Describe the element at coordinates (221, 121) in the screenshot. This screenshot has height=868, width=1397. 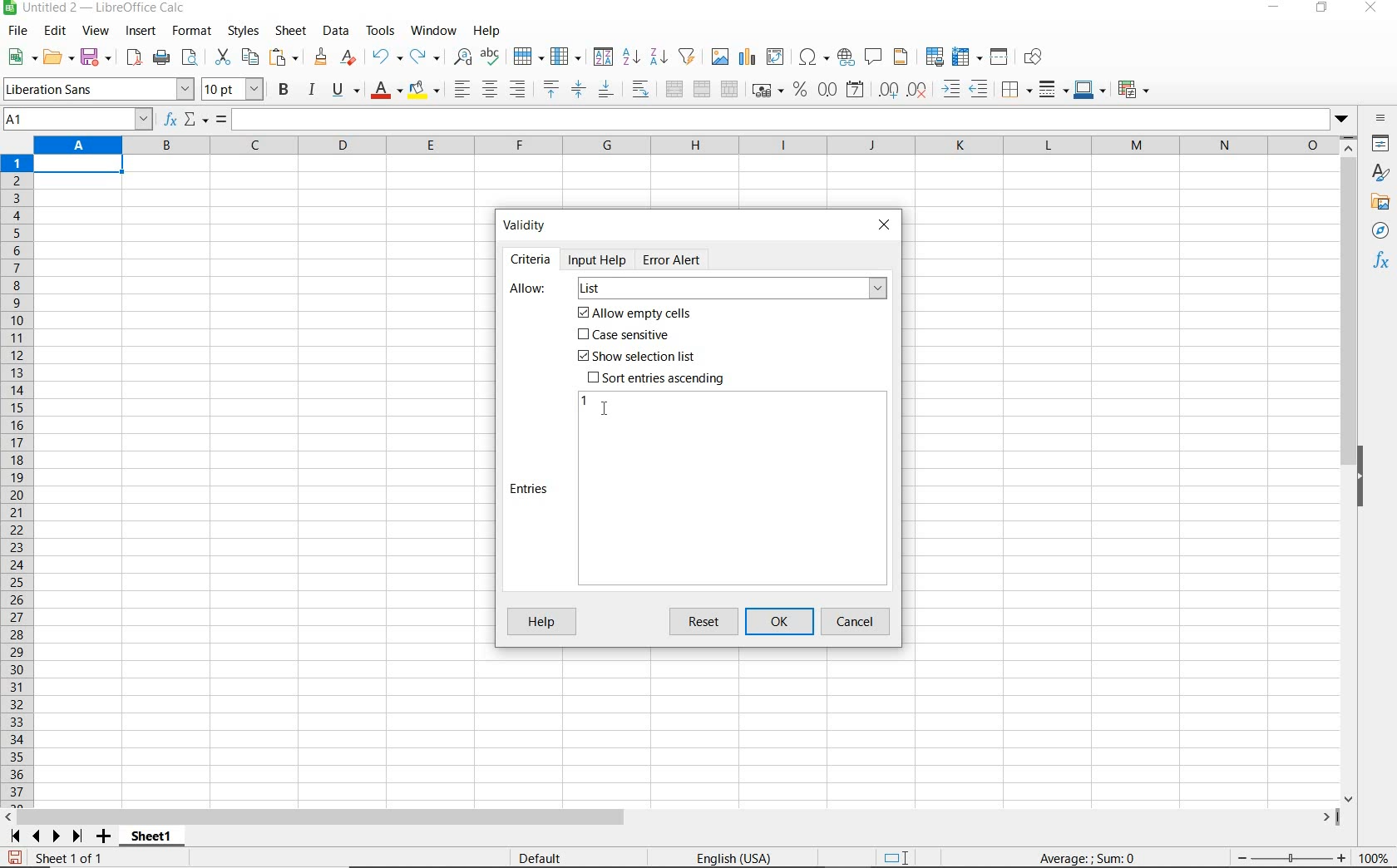
I see `formula` at that location.